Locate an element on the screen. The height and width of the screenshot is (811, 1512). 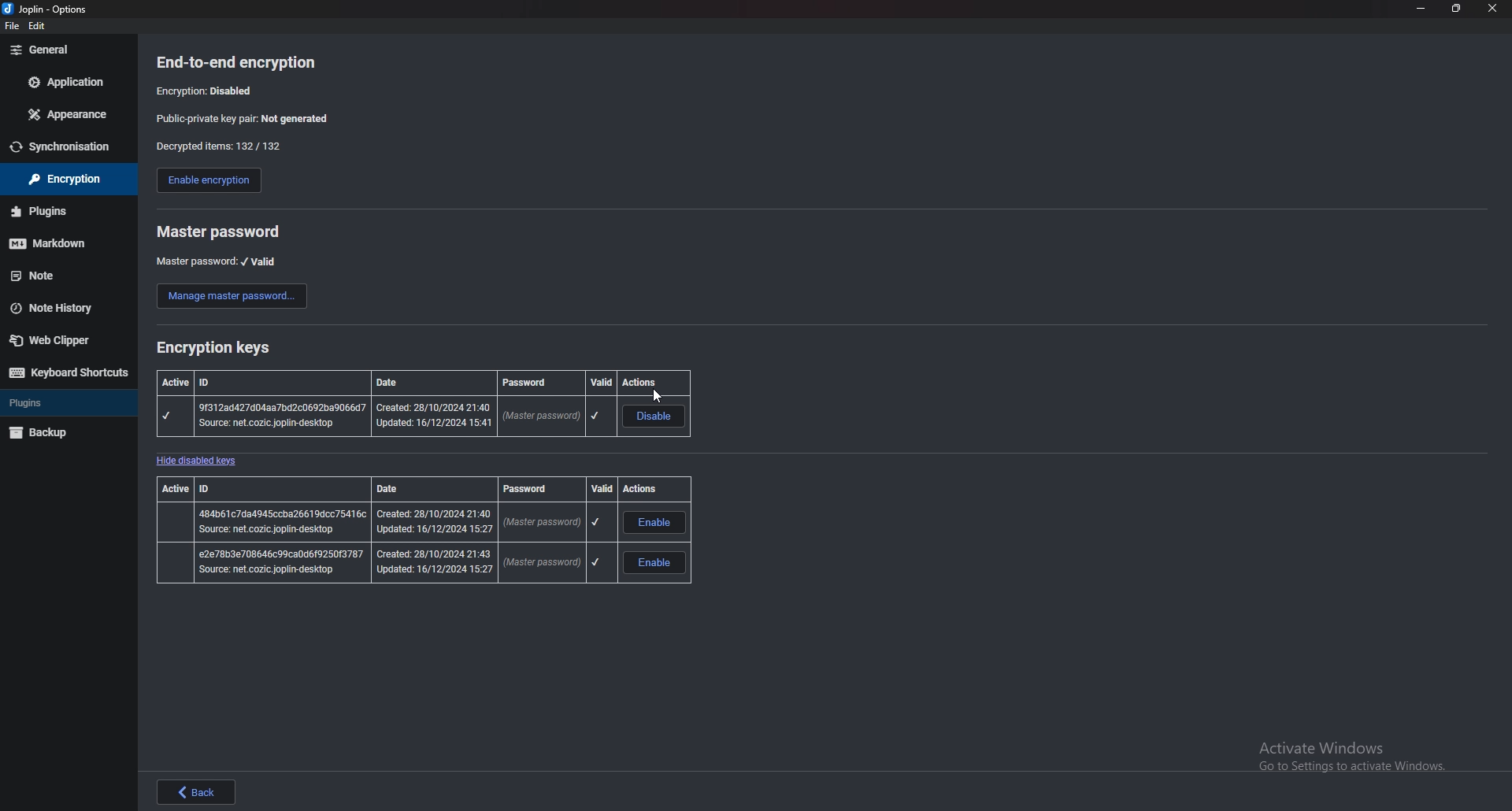
master password is located at coordinates (222, 232).